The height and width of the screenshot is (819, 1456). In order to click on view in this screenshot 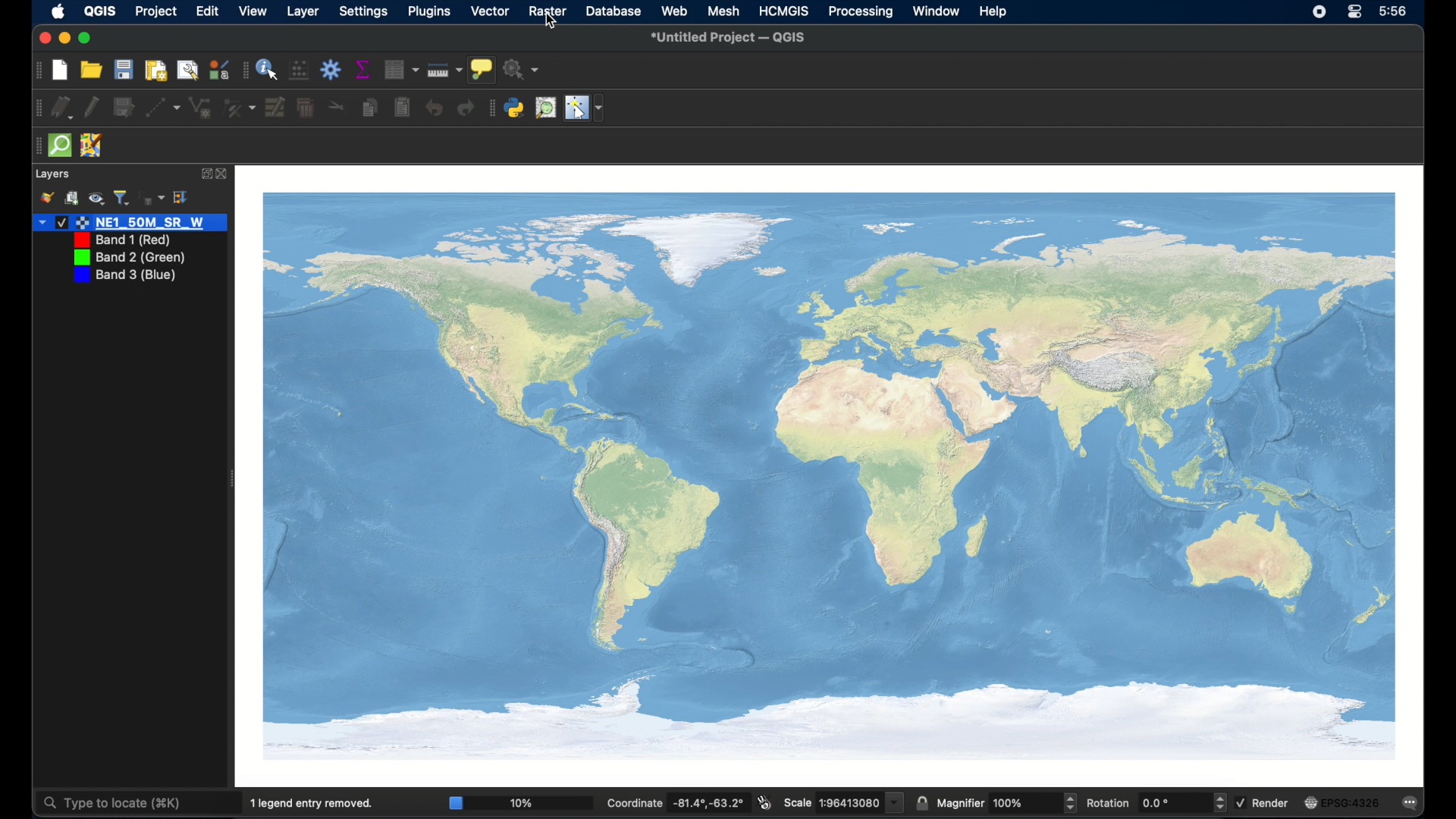, I will do `click(255, 11)`.